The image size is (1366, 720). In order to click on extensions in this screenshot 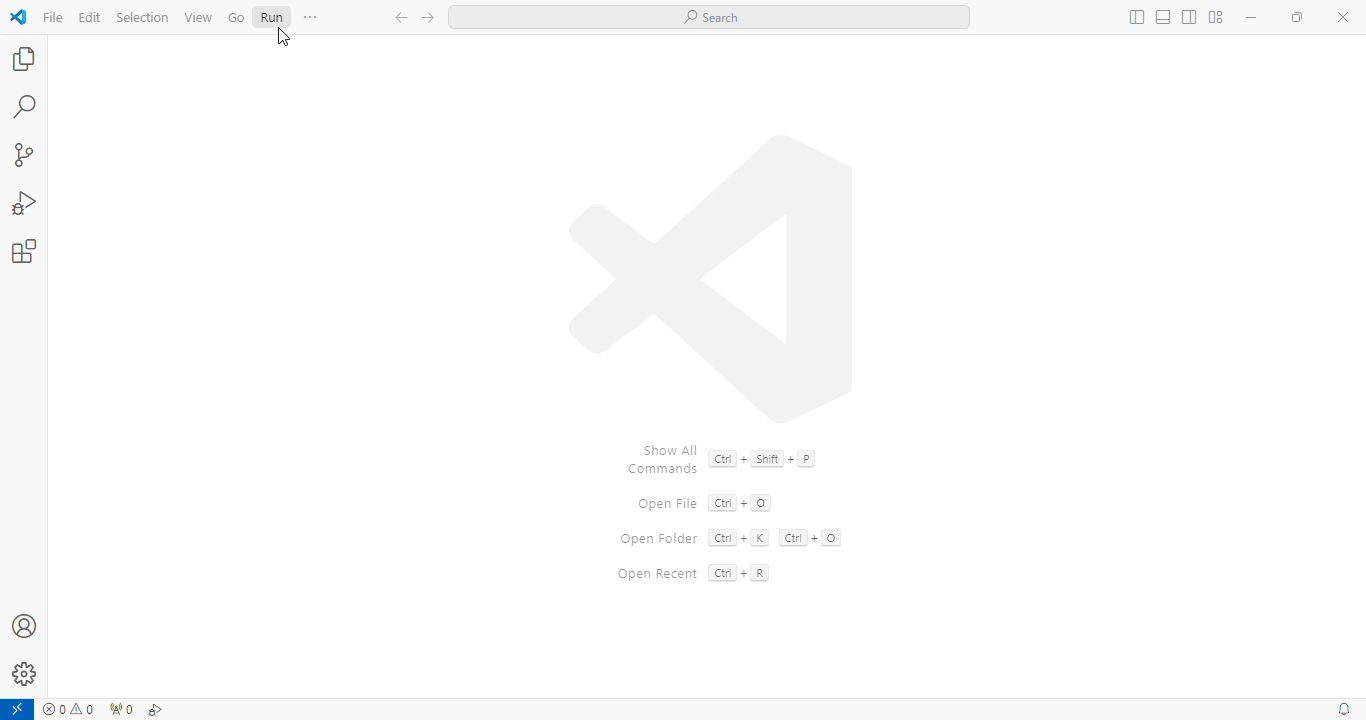, I will do `click(25, 251)`.